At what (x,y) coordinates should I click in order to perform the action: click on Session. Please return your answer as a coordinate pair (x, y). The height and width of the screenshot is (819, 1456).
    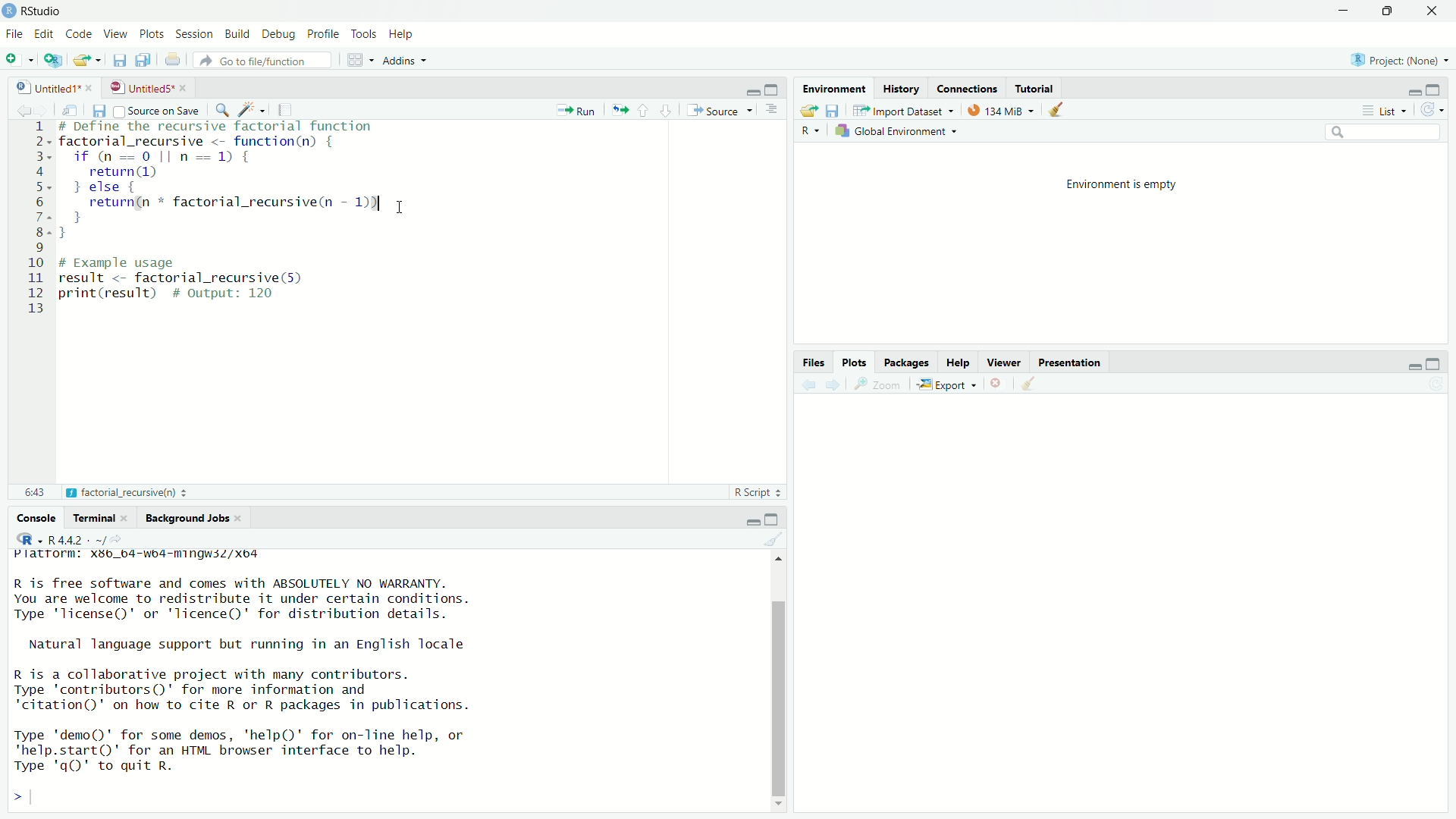
    Looking at the image, I should click on (193, 35).